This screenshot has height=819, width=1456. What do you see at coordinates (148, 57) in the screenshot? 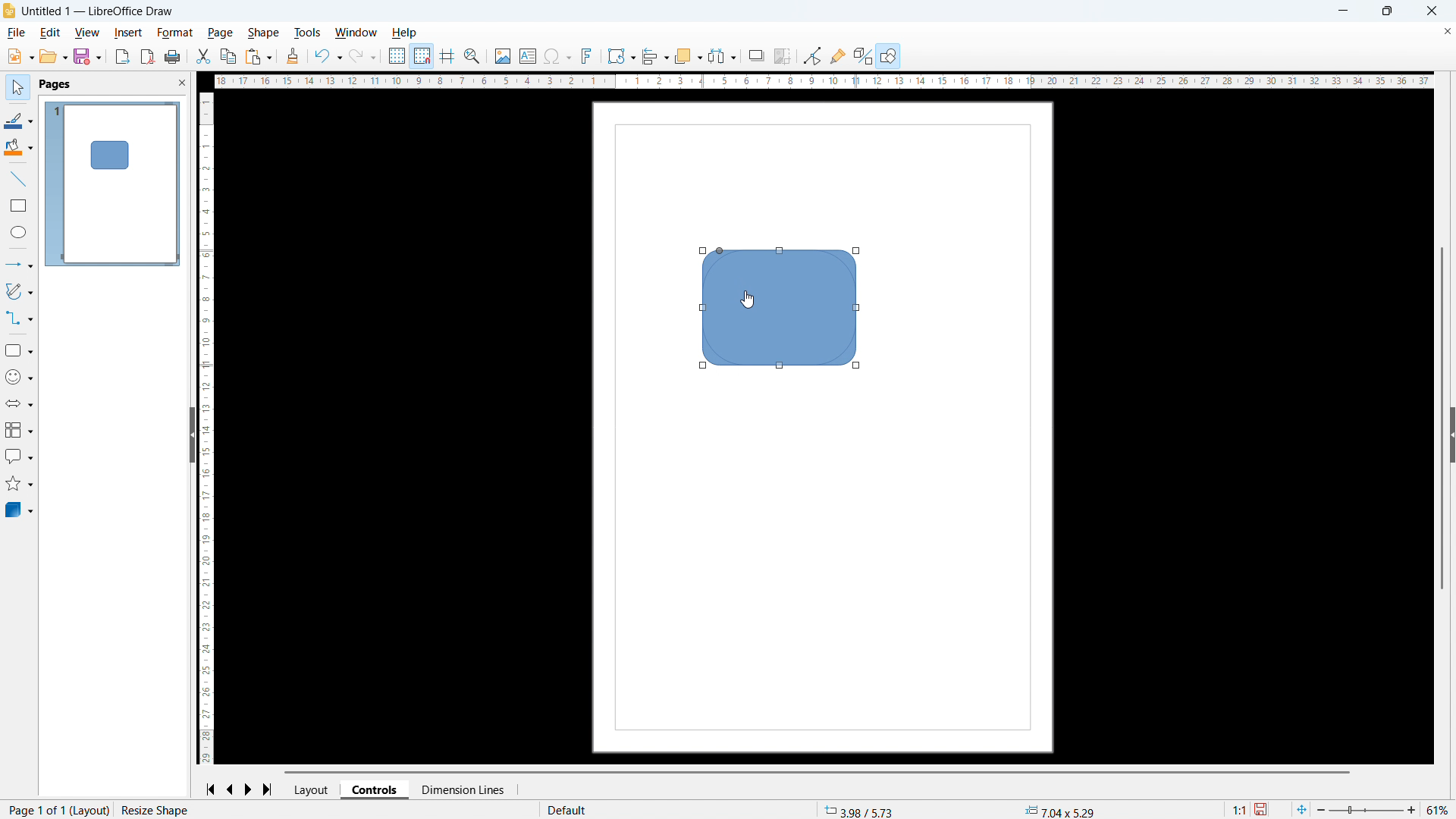
I see `Export as PDF ` at bounding box center [148, 57].